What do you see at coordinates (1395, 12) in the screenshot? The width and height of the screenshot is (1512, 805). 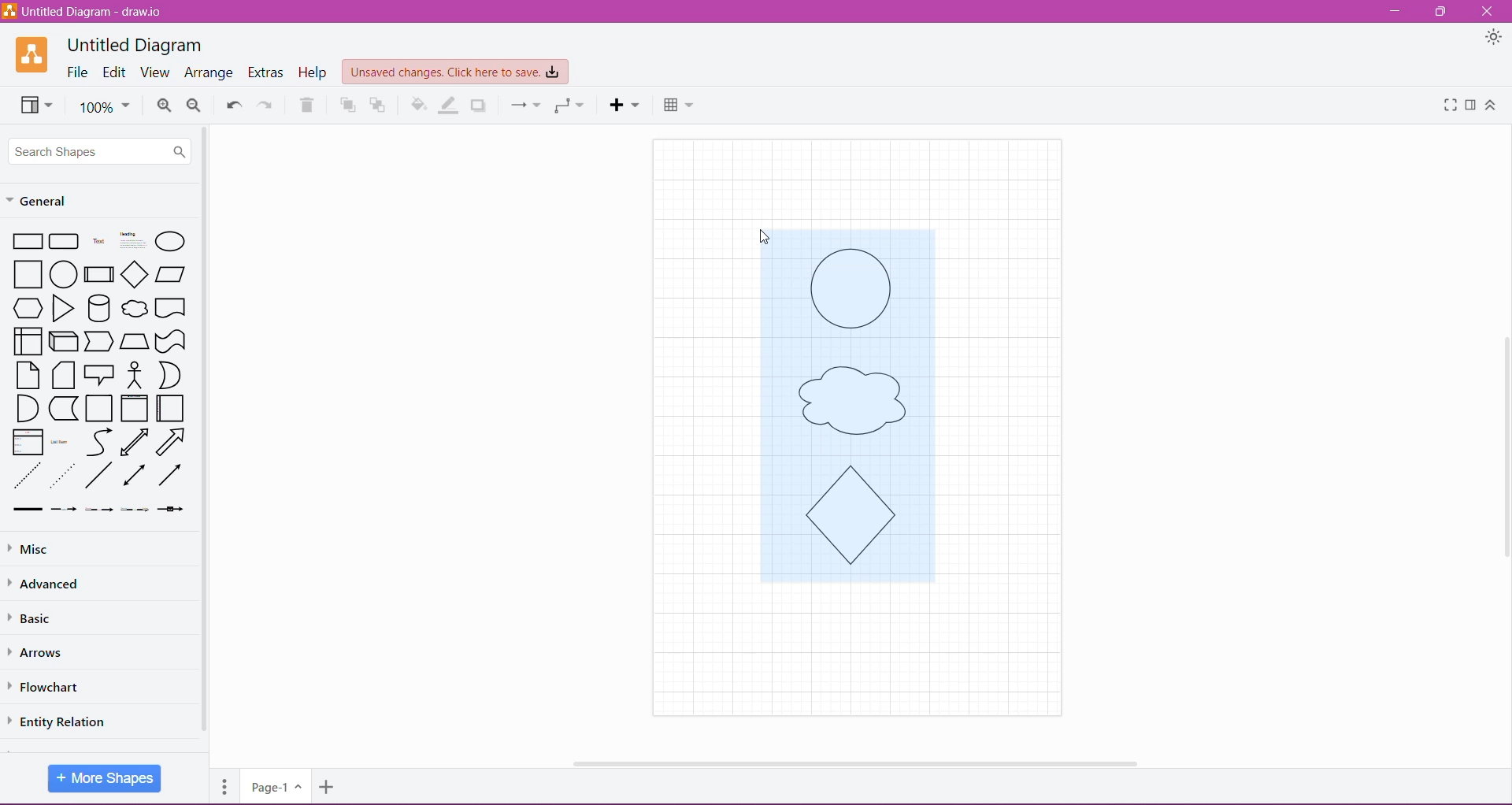 I see `Minimize` at bounding box center [1395, 12].